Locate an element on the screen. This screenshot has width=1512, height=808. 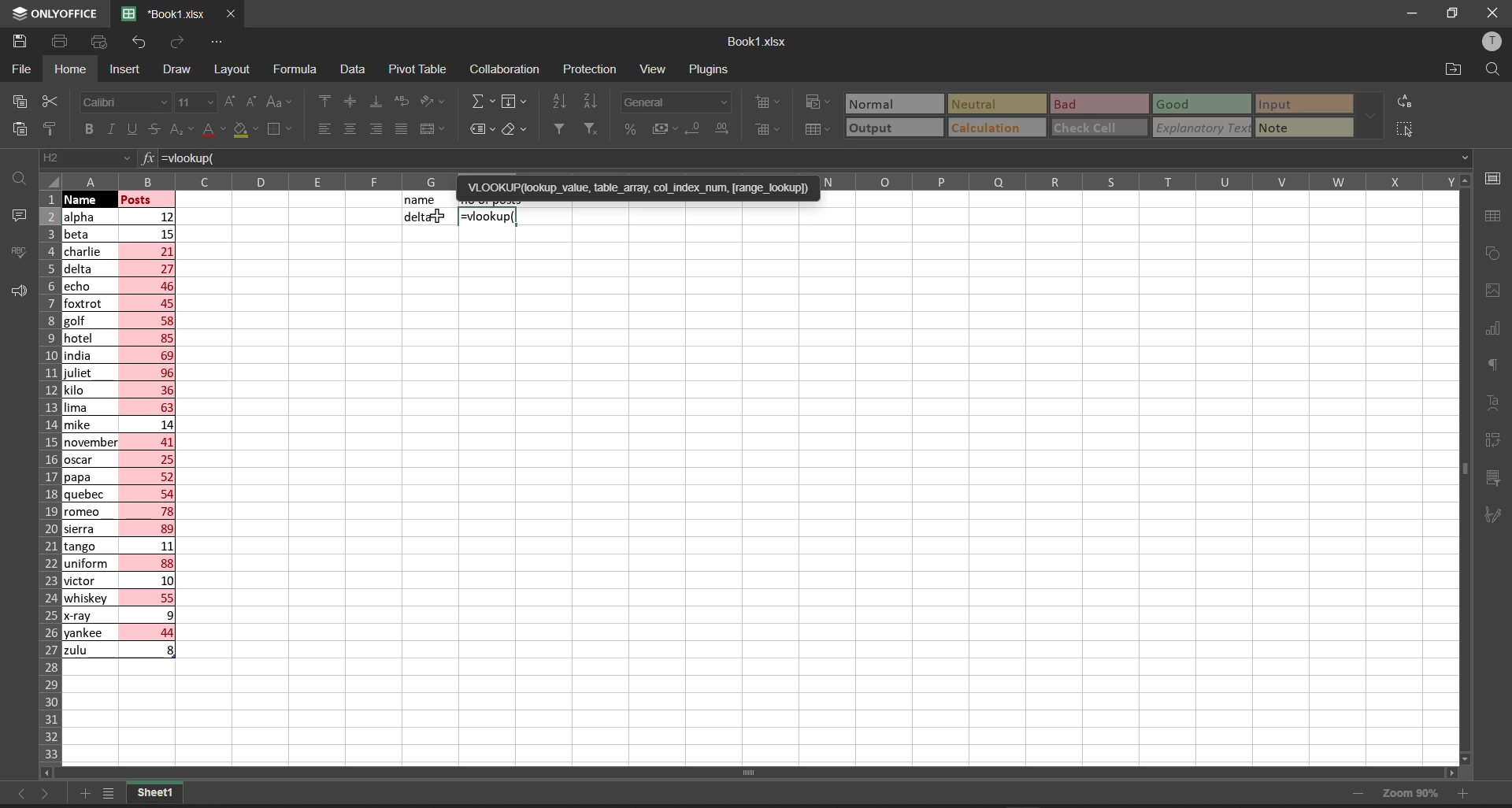
book name is located at coordinates (755, 42).